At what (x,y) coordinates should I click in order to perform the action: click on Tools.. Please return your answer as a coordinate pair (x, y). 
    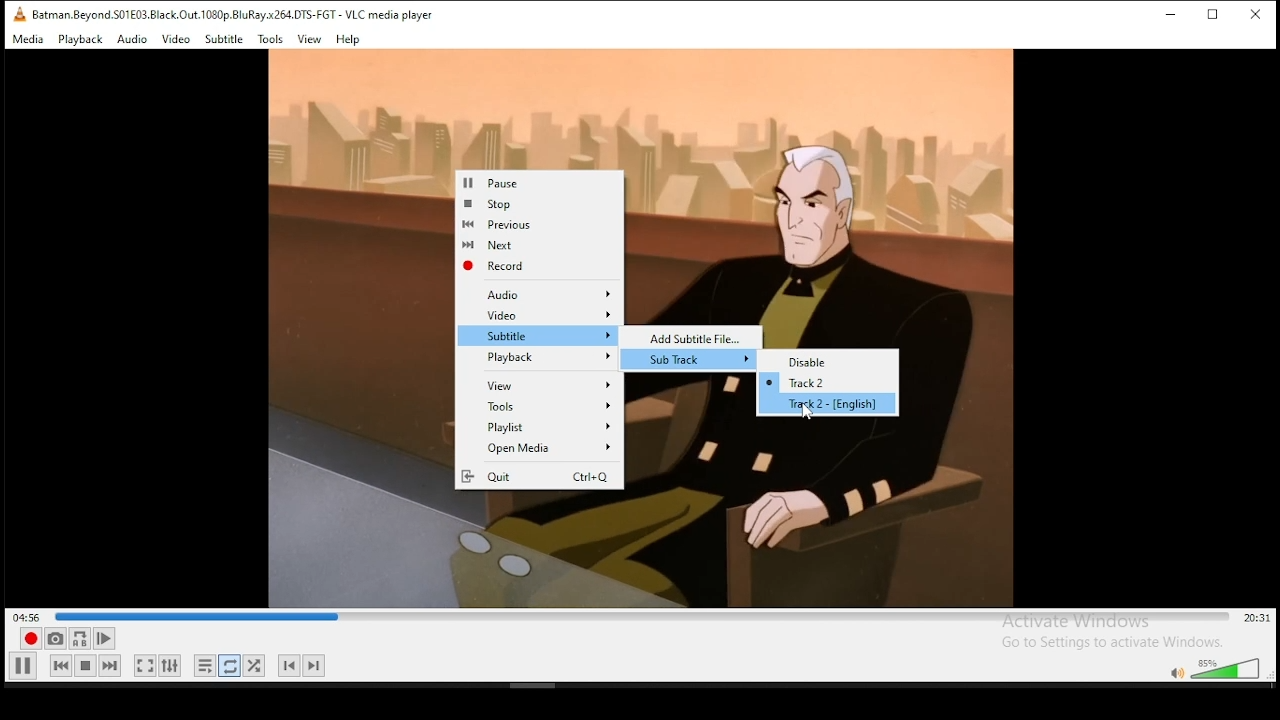
    Looking at the image, I should click on (270, 40).